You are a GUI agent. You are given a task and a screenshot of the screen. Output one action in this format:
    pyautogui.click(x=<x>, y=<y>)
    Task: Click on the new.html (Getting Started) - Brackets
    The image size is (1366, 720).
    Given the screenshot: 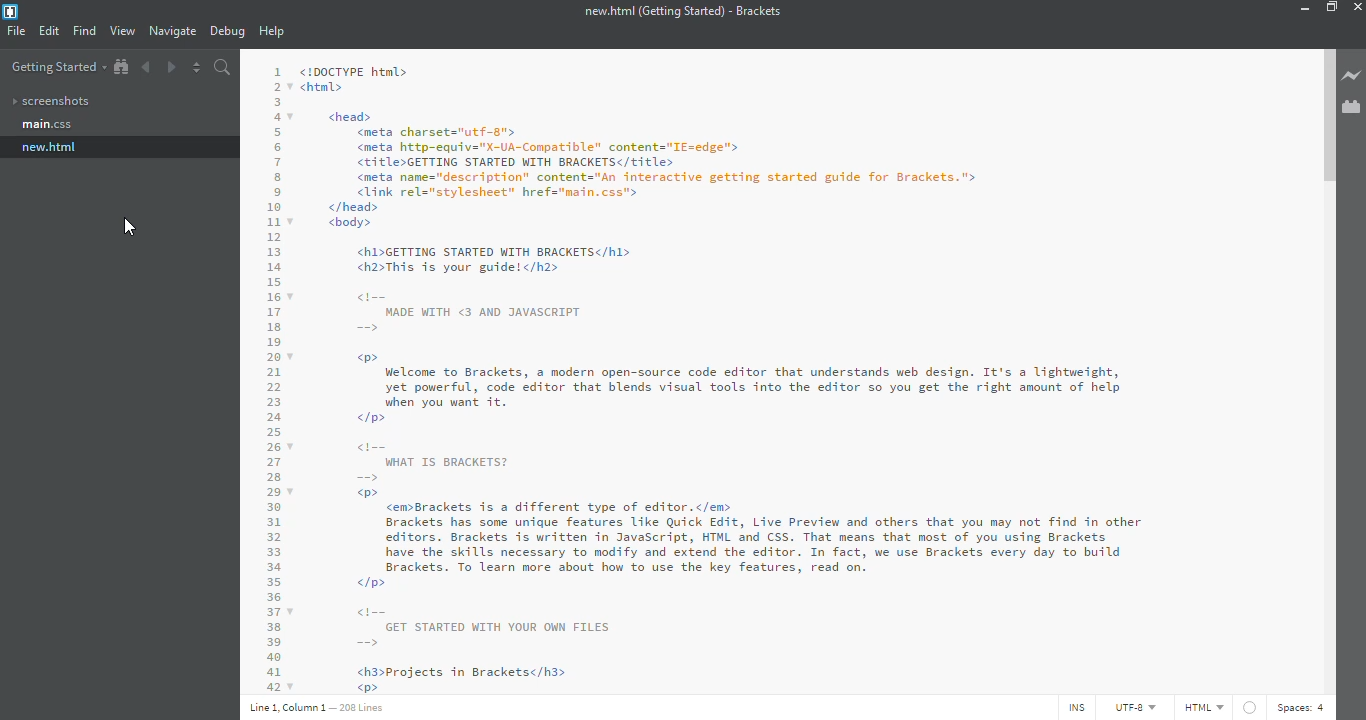 What is the action you would take?
    pyautogui.click(x=679, y=11)
    